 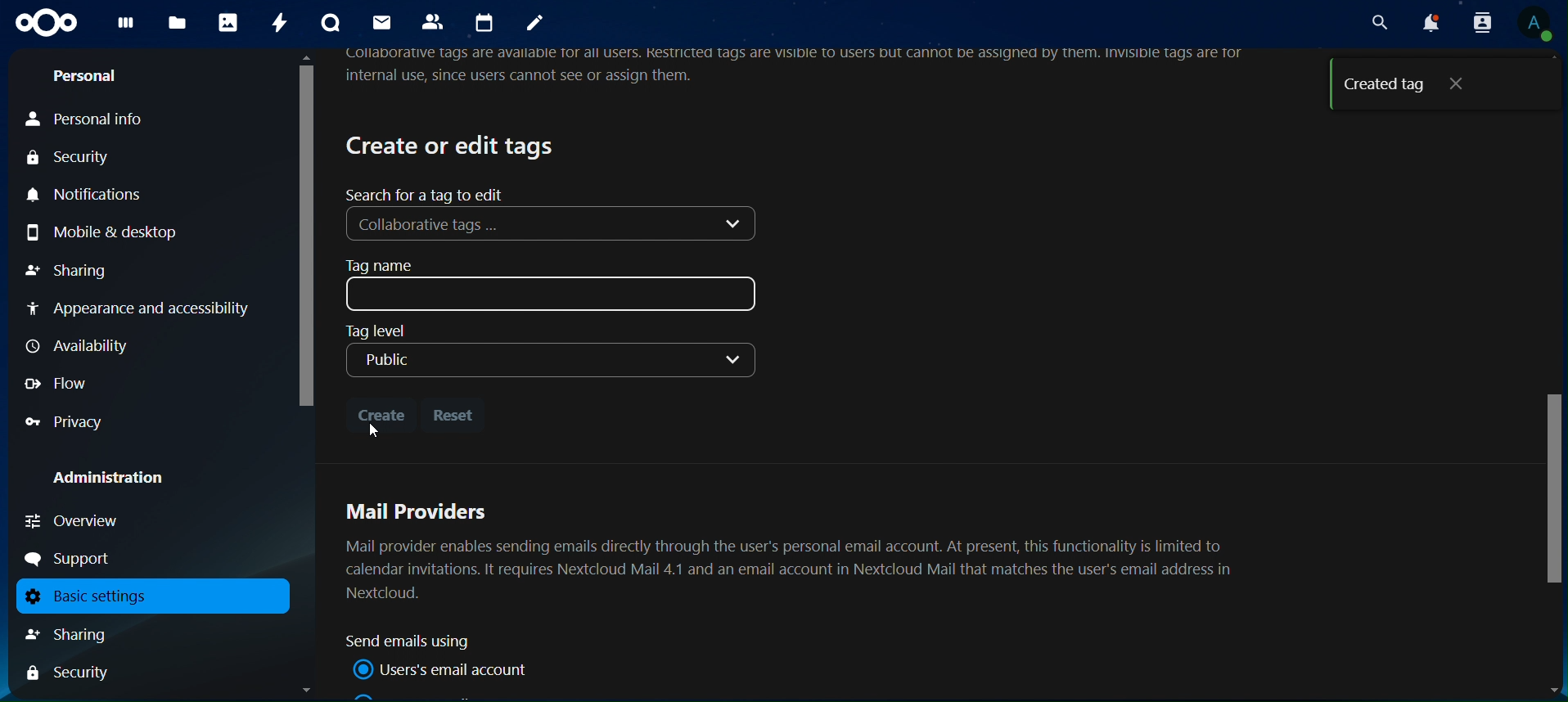 What do you see at coordinates (47, 23) in the screenshot?
I see `icon` at bounding box center [47, 23].